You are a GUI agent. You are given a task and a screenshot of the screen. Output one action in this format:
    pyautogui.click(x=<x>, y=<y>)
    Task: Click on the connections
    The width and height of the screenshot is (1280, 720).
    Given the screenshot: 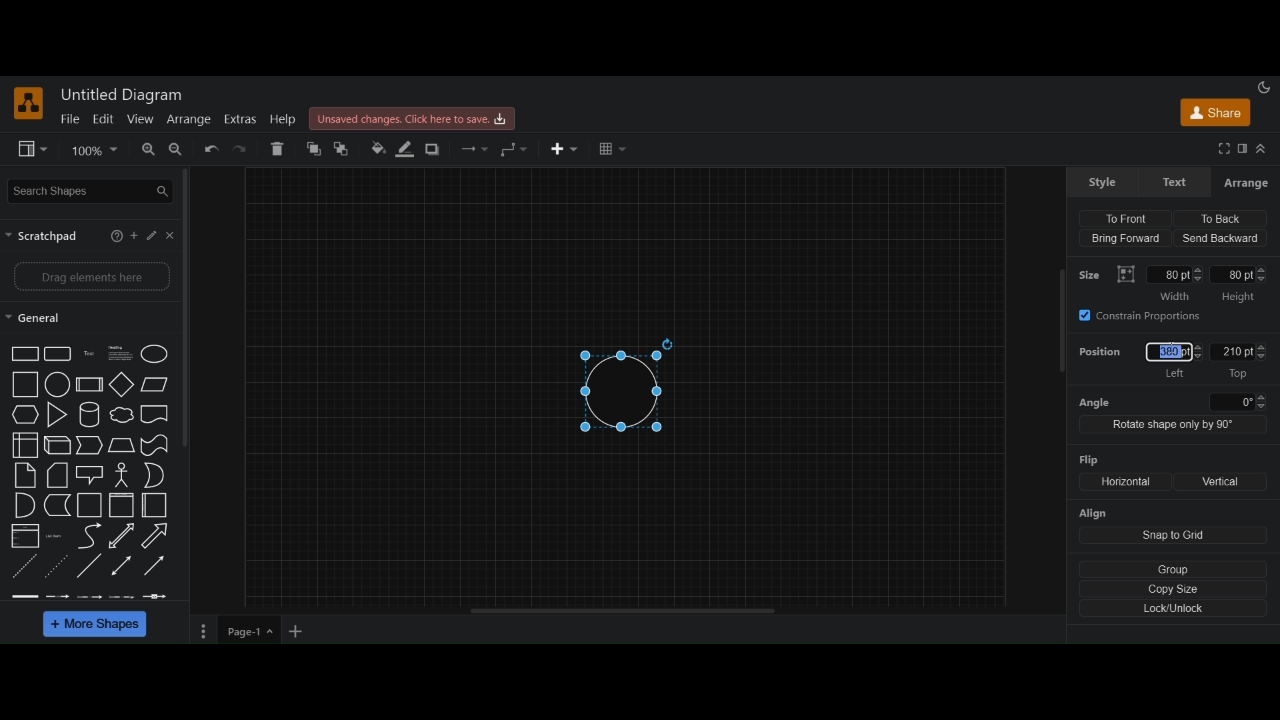 What is the action you would take?
    pyautogui.click(x=473, y=149)
    